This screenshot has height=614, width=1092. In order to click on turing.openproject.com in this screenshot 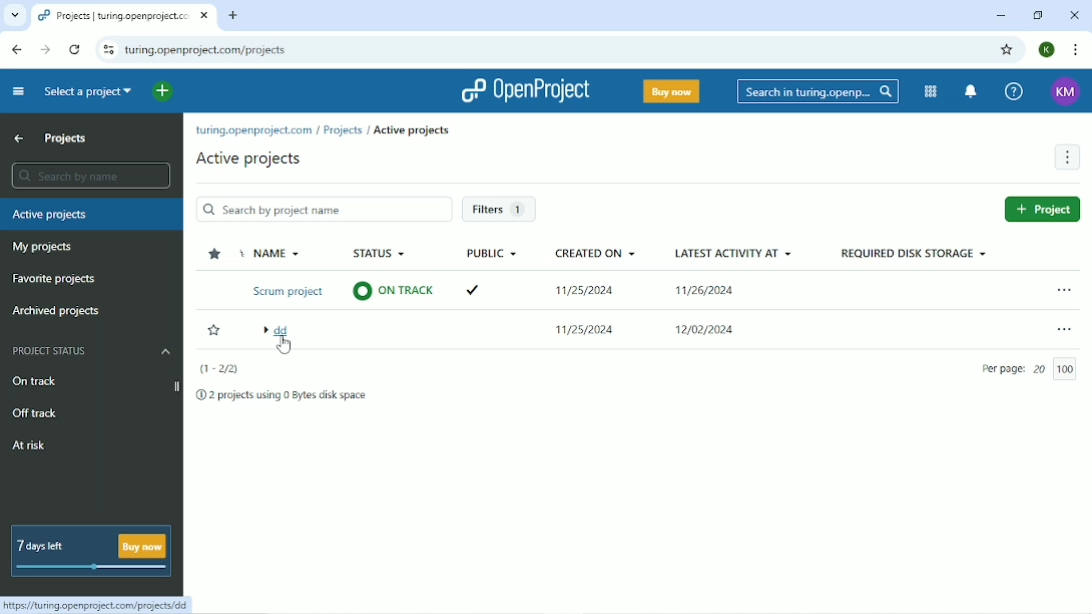, I will do `click(254, 130)`.